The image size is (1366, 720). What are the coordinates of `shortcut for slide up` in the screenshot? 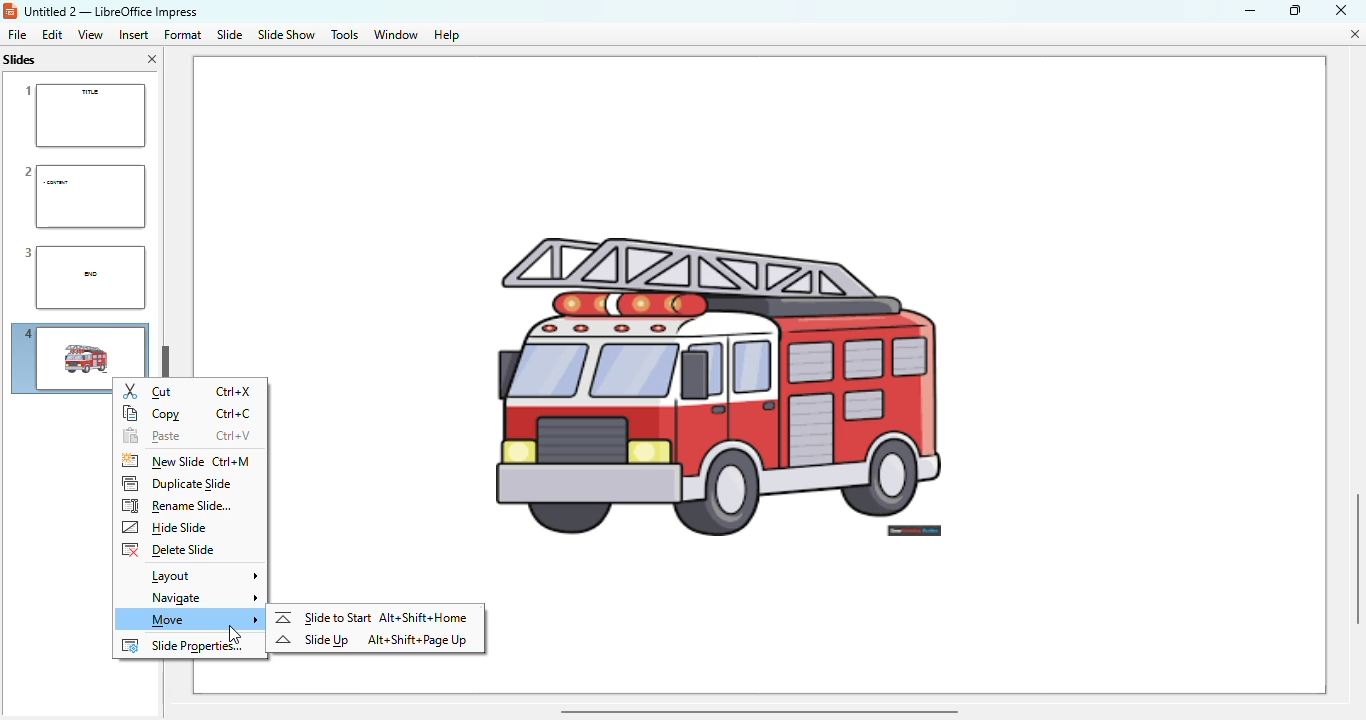 It's located at (417, 640).